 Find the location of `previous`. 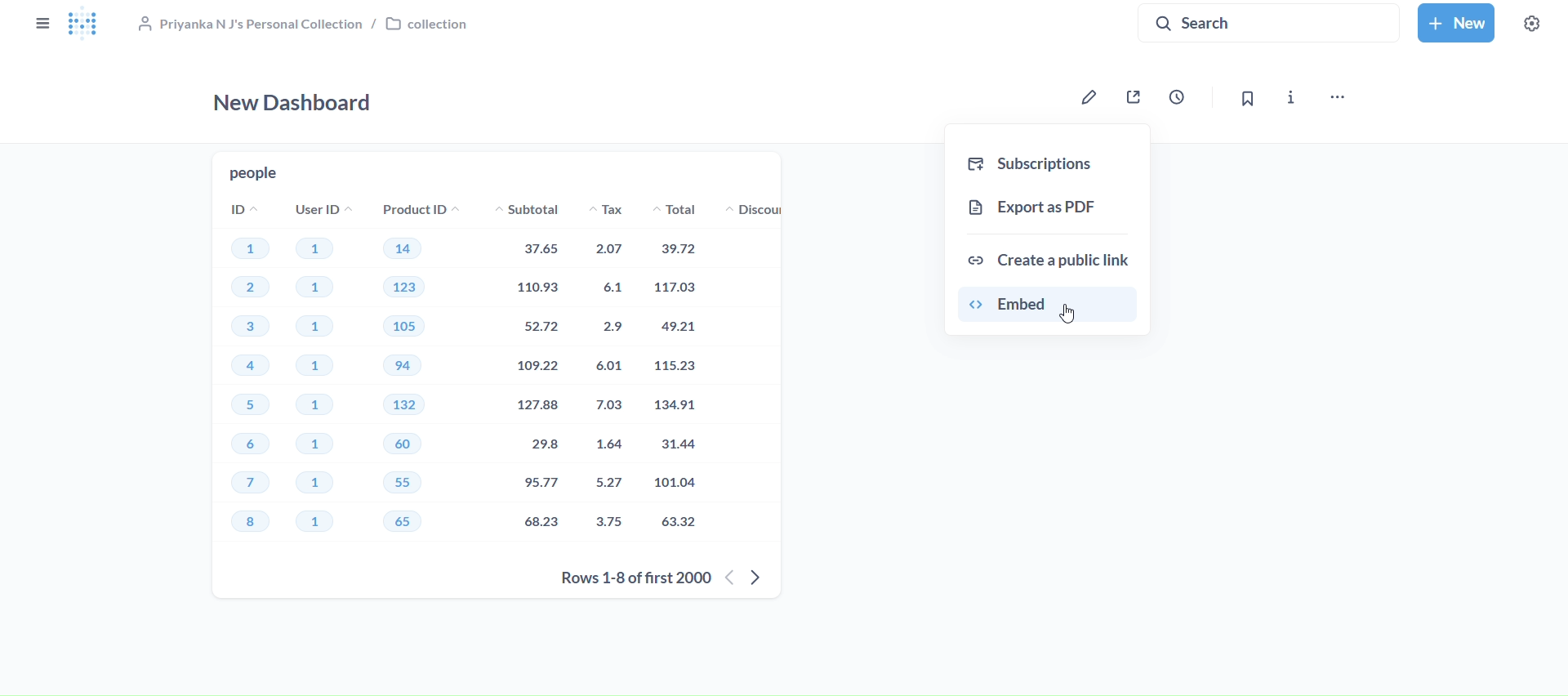

previous is located at coordinates (728, 578).